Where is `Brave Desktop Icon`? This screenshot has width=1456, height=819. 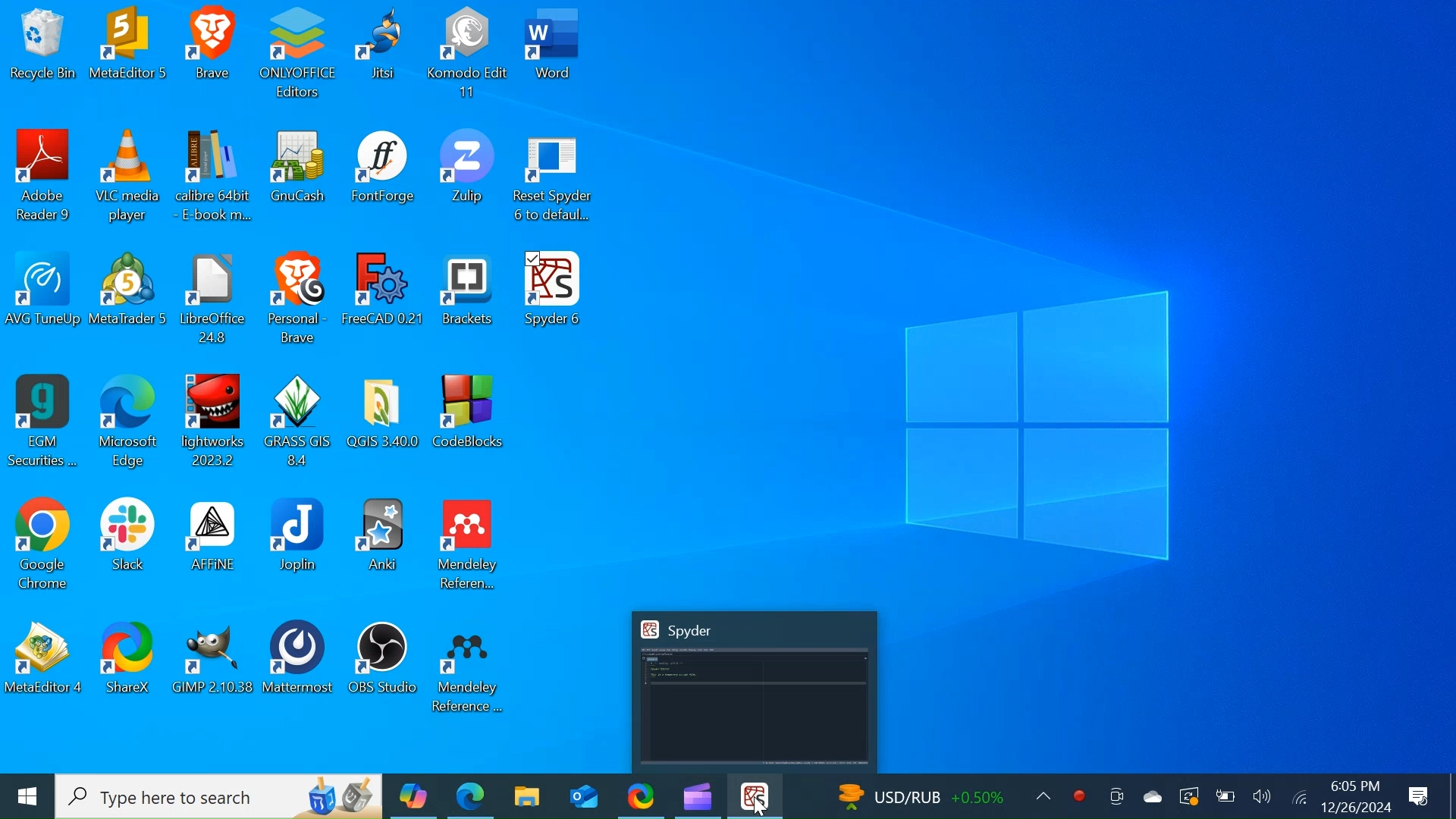
Brave Desktop Icon is located at coordinates (213, 55).